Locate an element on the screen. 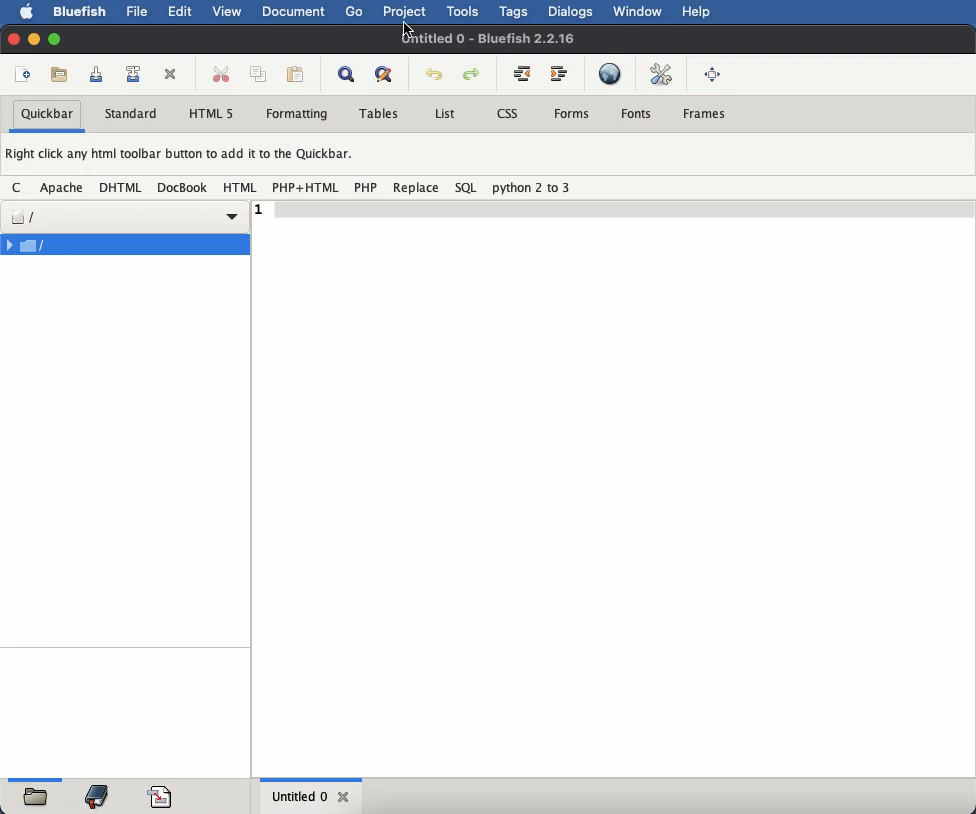  edit is located at coordinates (182, 10).